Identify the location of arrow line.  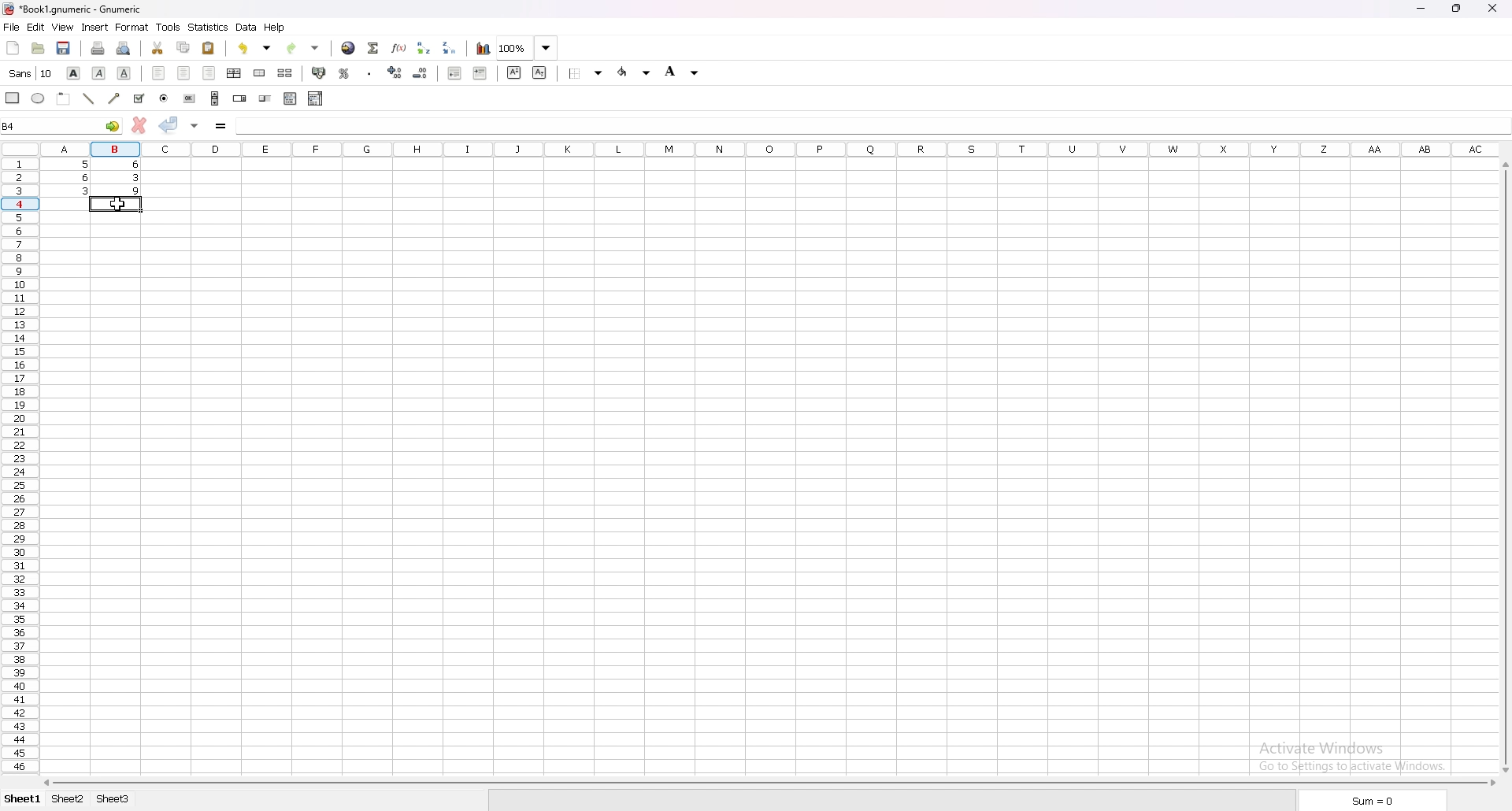
(113, 98).